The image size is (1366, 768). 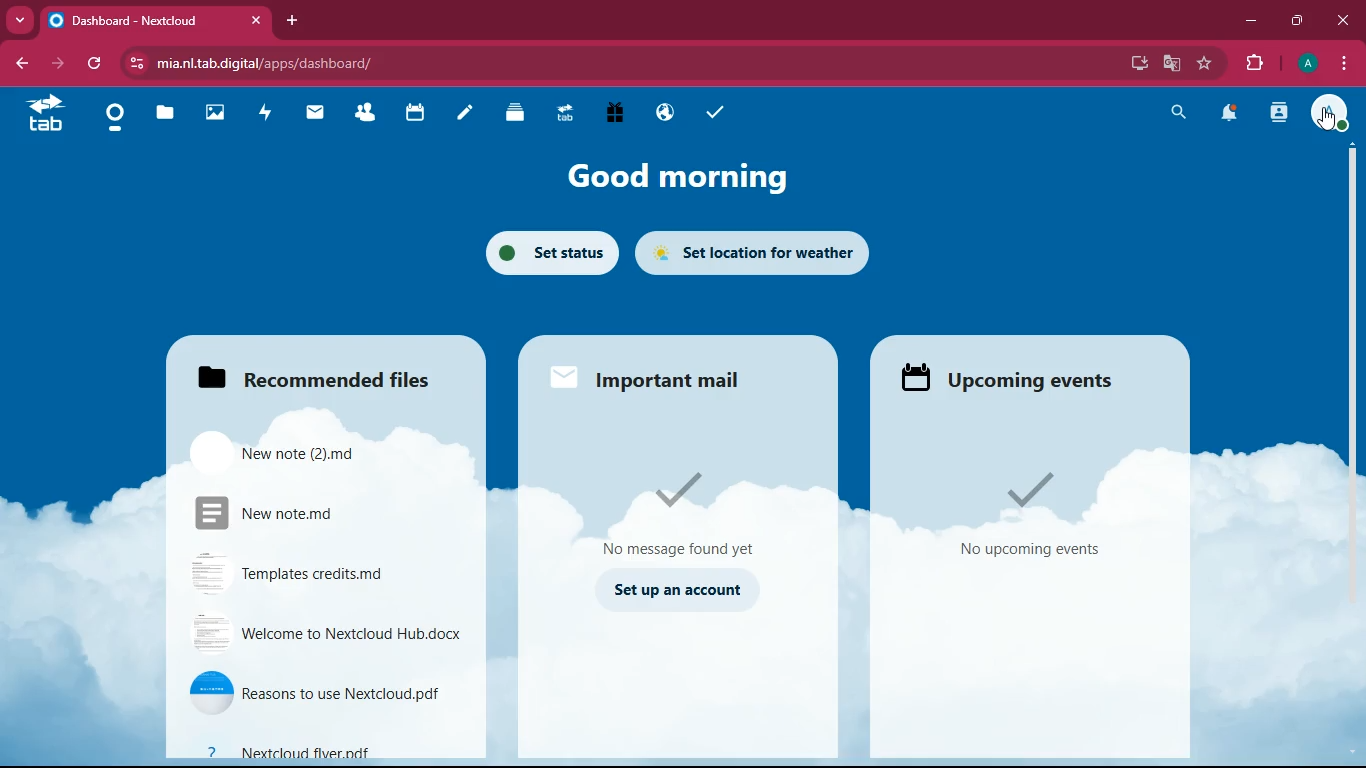 I want to click on favourite, so click(x=1207, y=64).